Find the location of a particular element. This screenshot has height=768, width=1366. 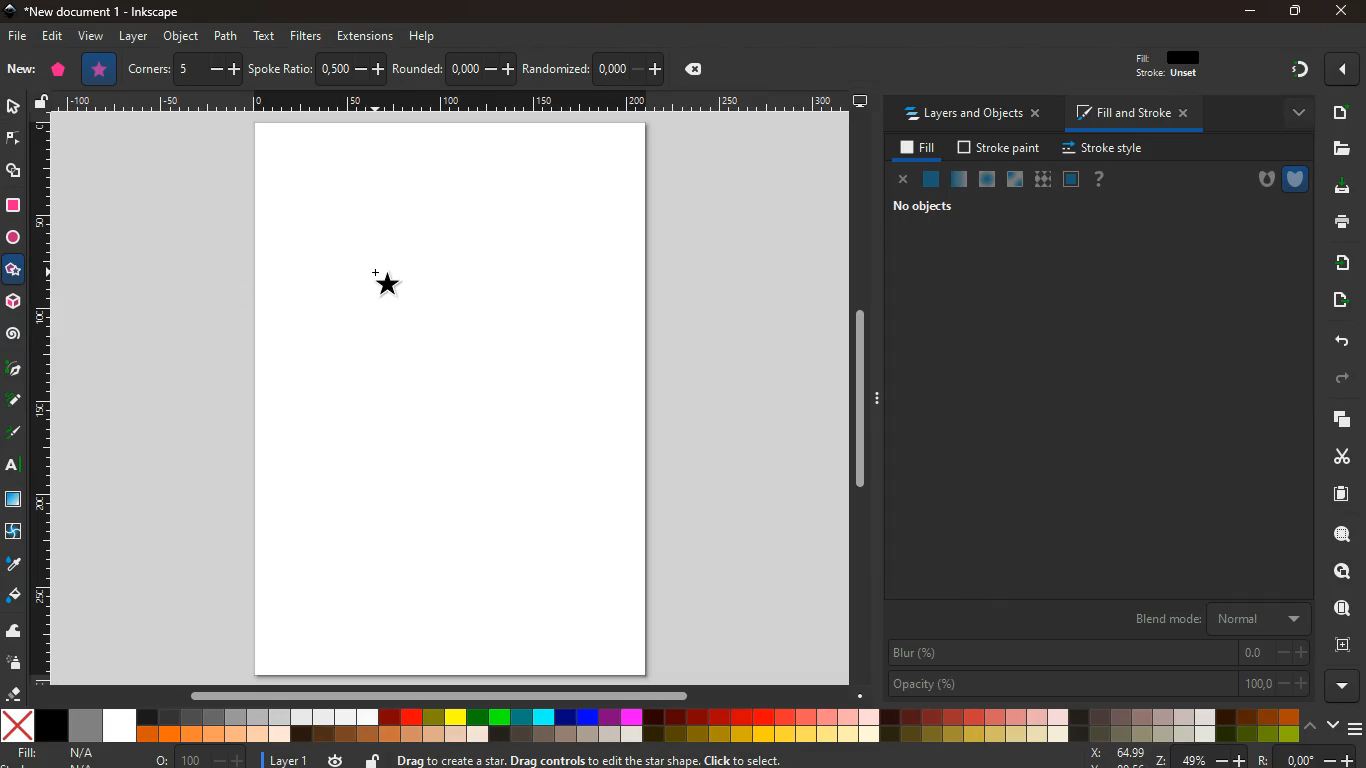

square is located at coordinates (15, 207).